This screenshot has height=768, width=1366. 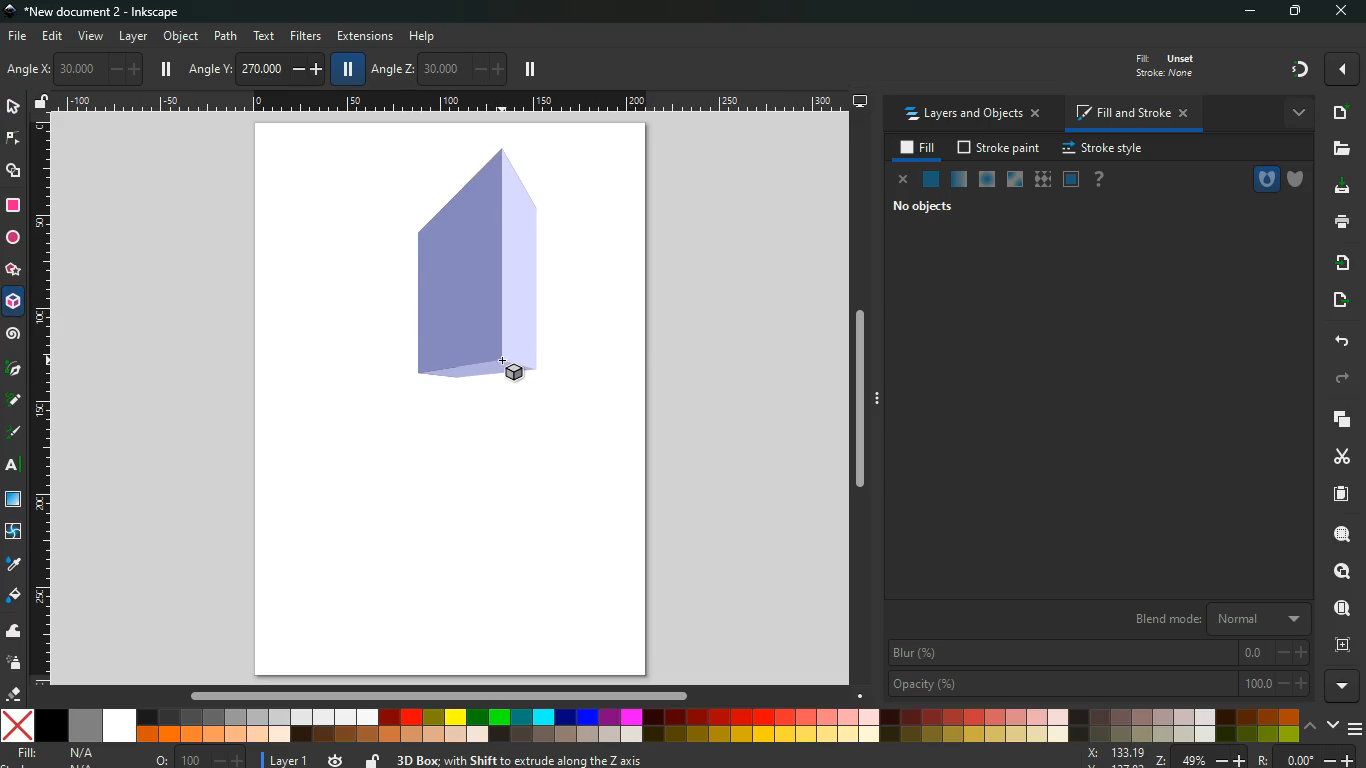 What do you see at coordinates (39, 400) in the screenshot?
I see `Ruler` at bounding box center [39, 400].